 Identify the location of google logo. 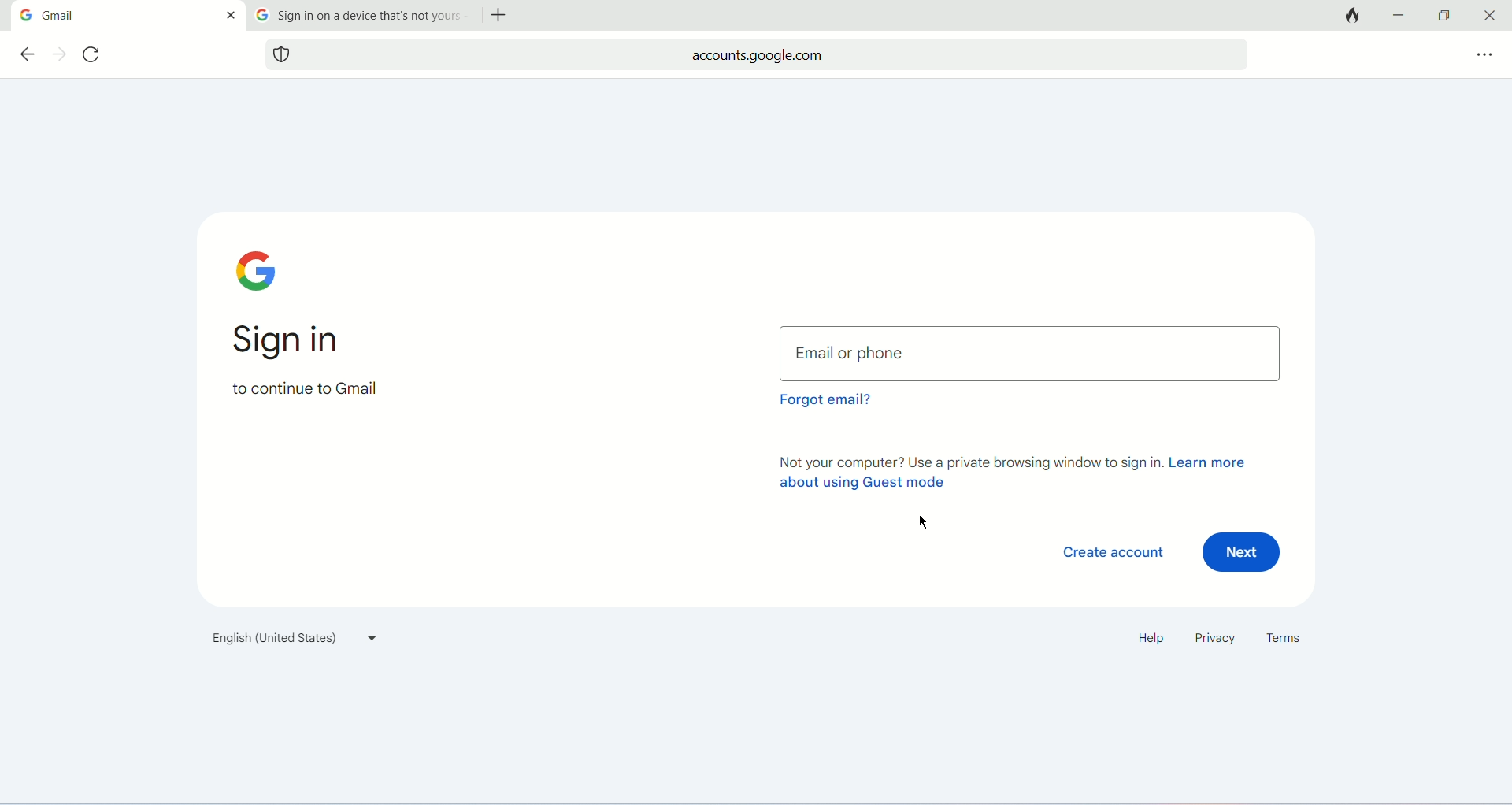
(25, 15).